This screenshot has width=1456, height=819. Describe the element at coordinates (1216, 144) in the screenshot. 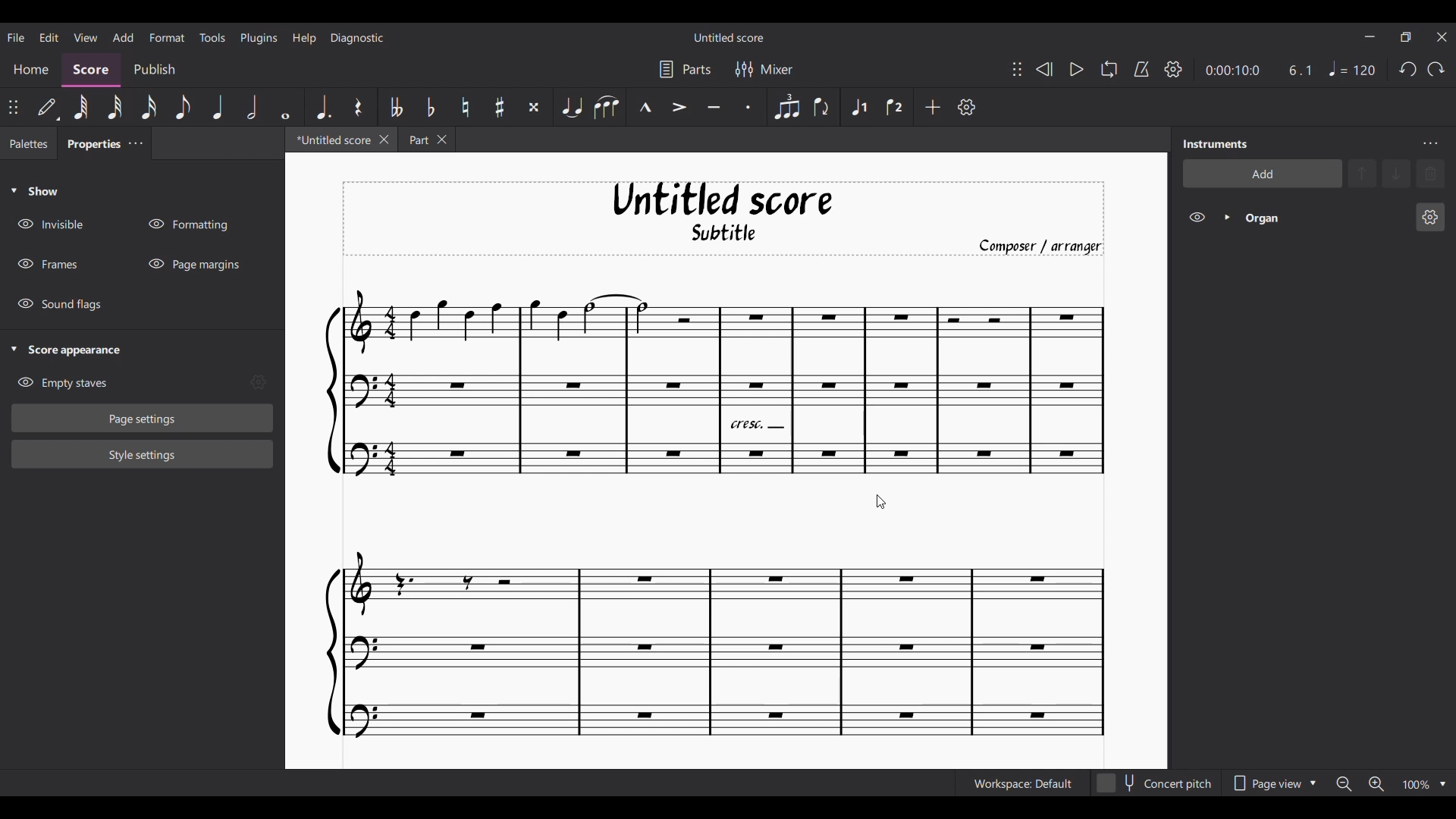

I see `Panel title` at that location.